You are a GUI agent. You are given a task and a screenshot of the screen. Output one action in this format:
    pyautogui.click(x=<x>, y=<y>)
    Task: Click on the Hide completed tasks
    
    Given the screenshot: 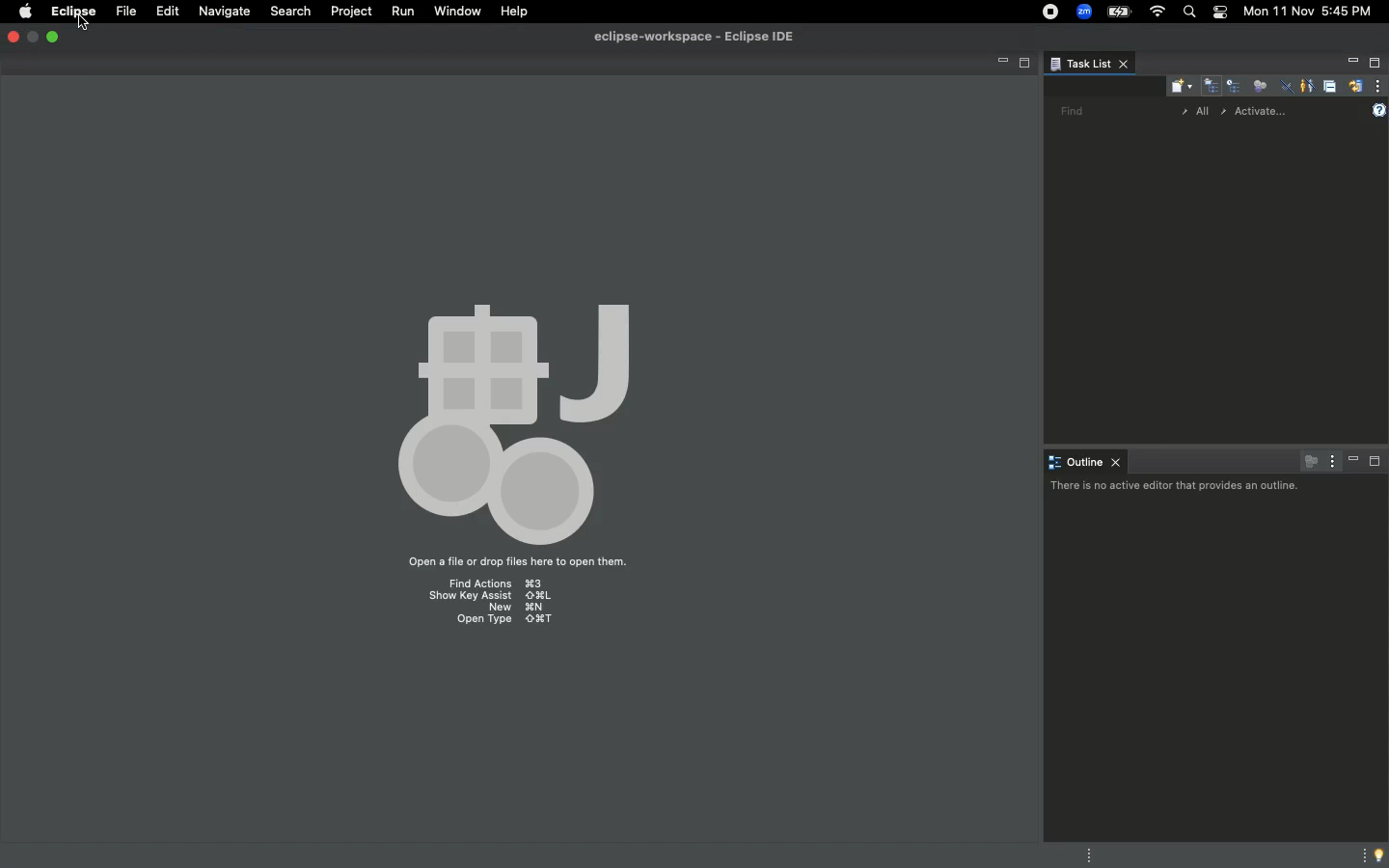 What is the action you would take?
    pyautogui.click(x=1283, y=87)
    